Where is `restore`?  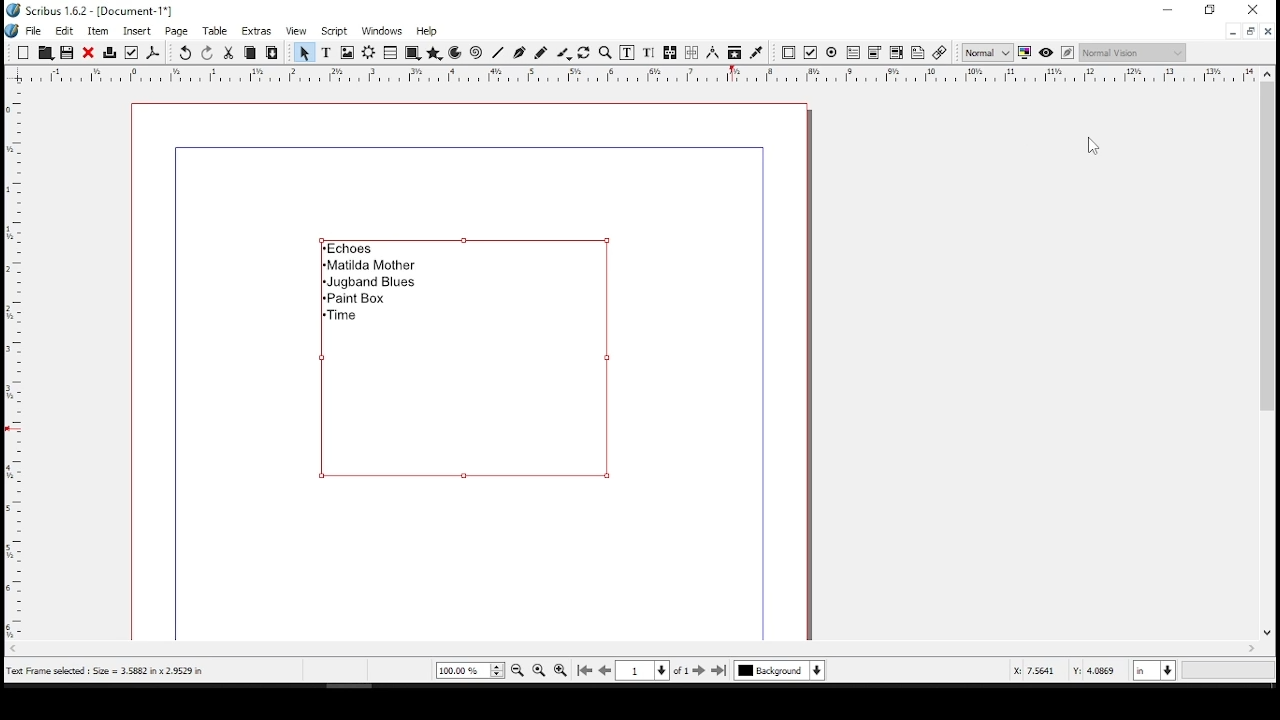
restore is located at coordinates (1249, 31).